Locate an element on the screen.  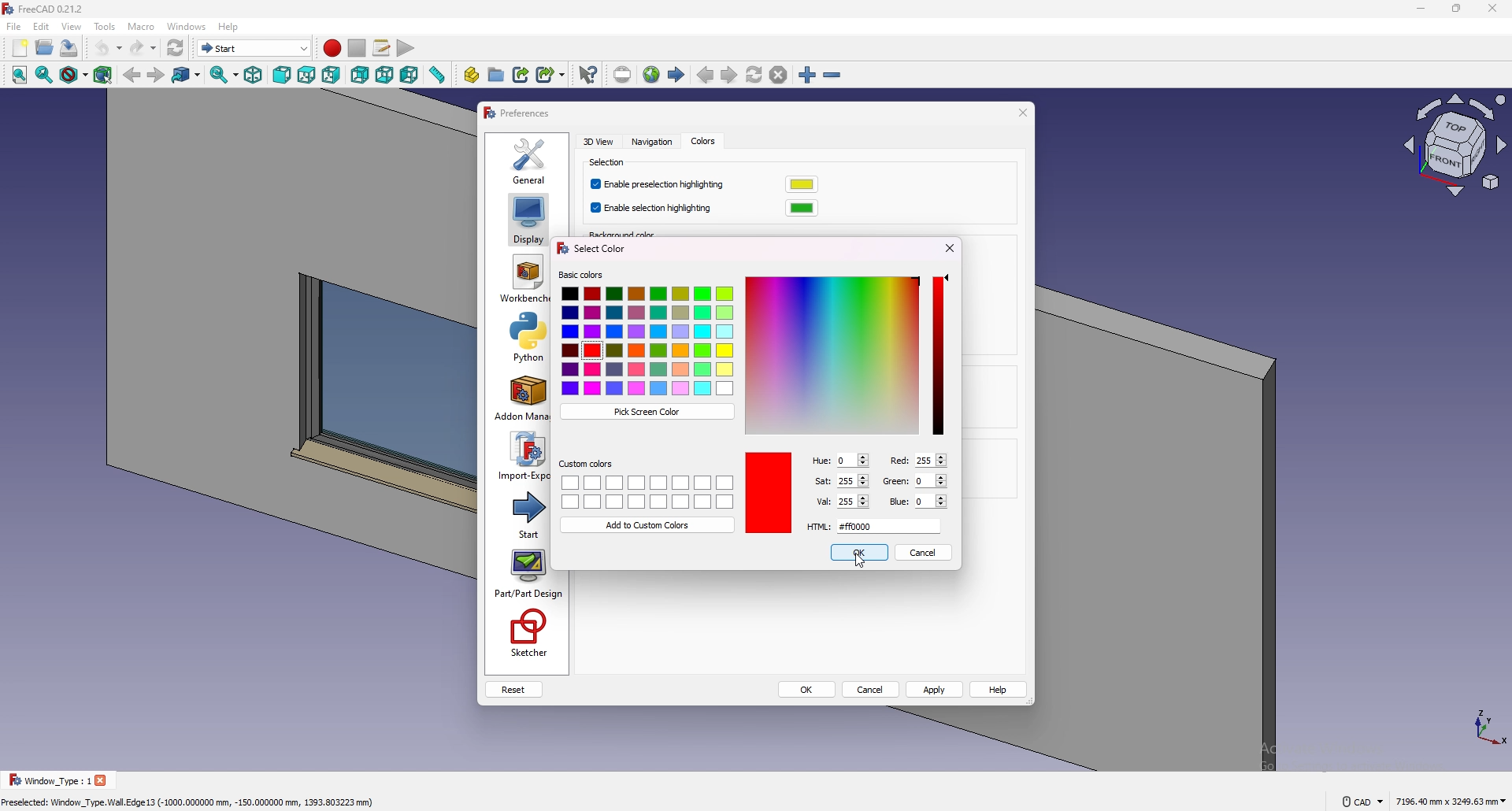
0 is located at coordinates (930, 480).